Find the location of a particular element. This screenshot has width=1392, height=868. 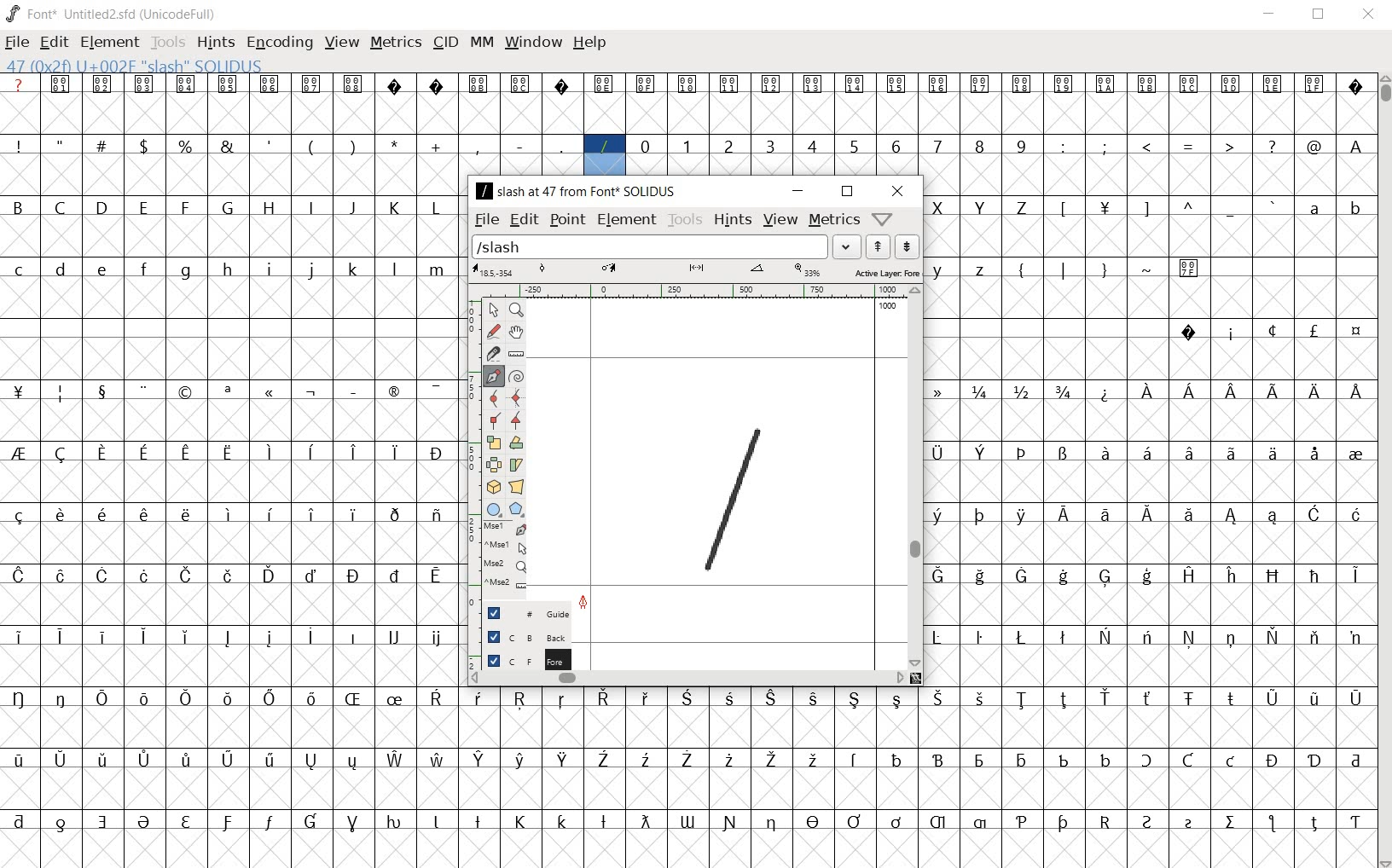

empty cells is located at coordinates (1148, 421).